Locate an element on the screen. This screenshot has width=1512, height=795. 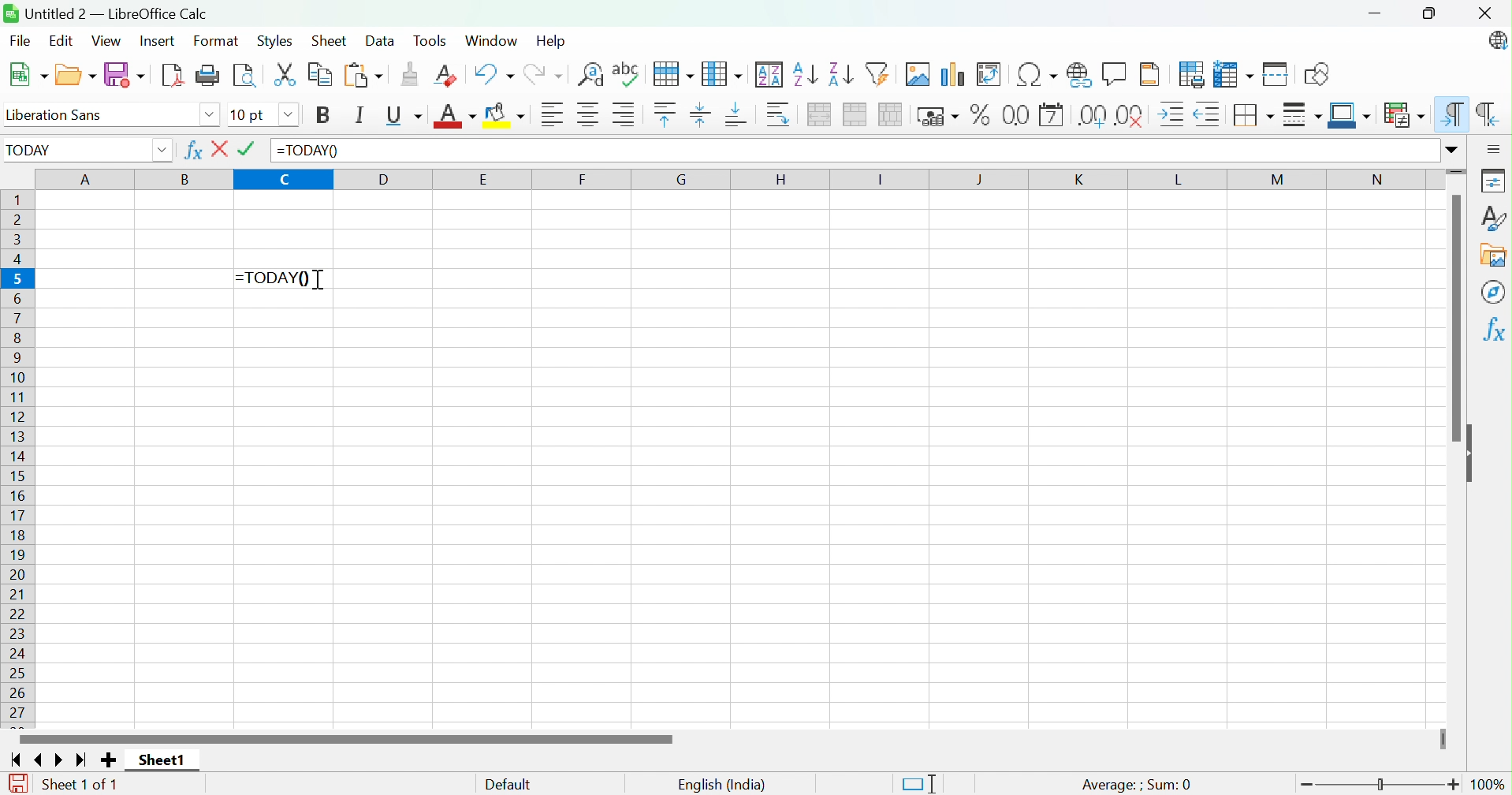
Align vertical is located at coordinates (699, 116).